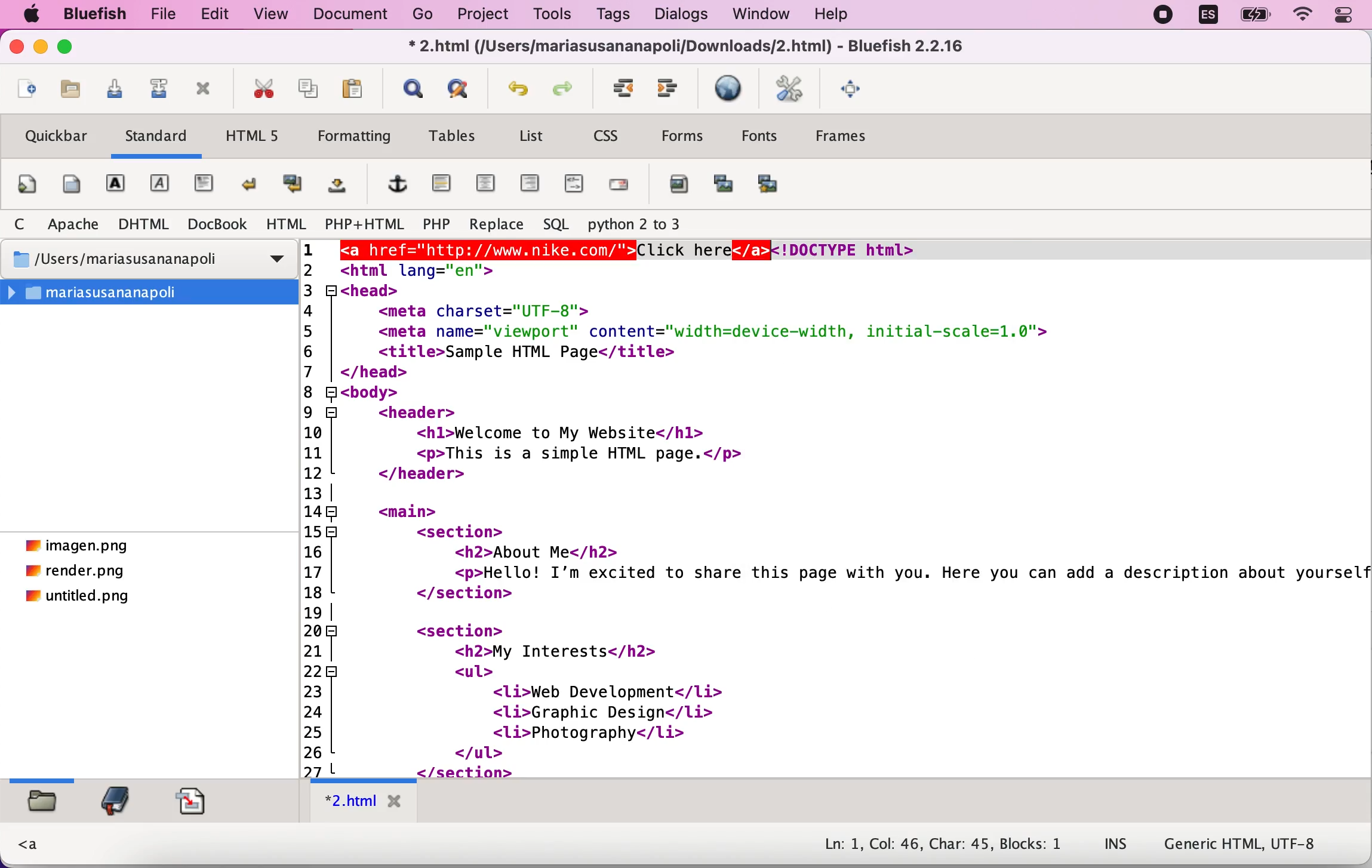 The width and height of the screenshot is (1372, 868). I want to click on <a, so click(29, 845).